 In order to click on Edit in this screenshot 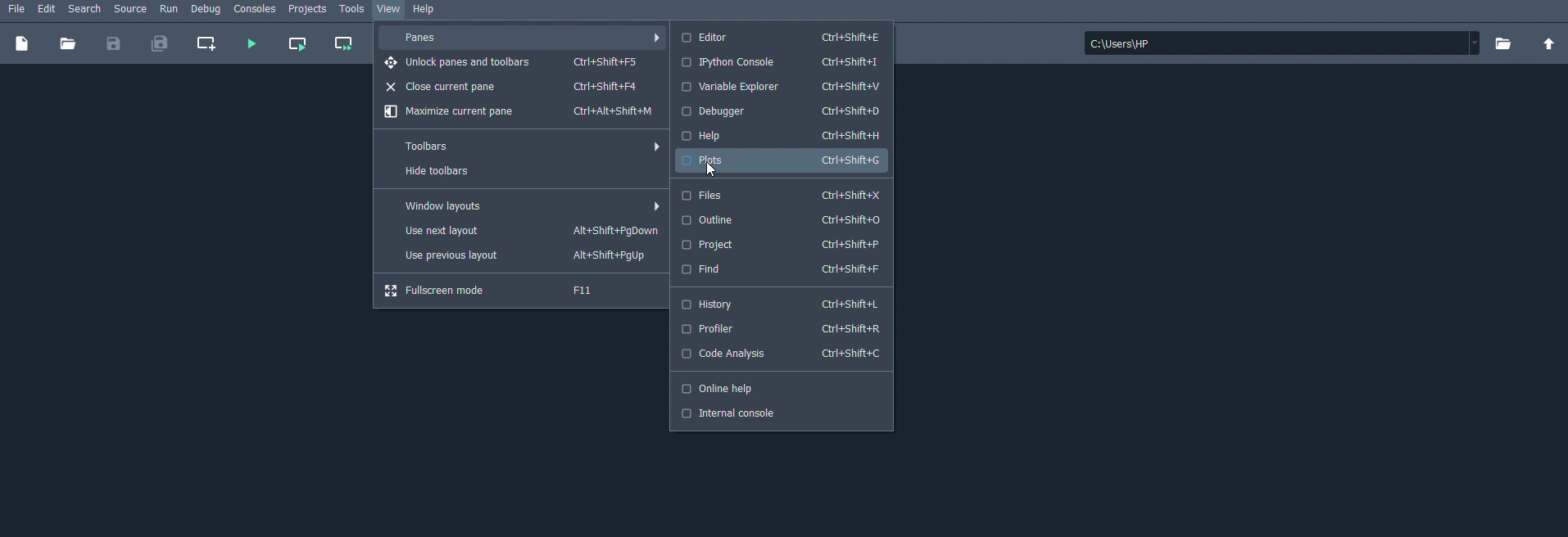, I will do `click(48, 9)`.